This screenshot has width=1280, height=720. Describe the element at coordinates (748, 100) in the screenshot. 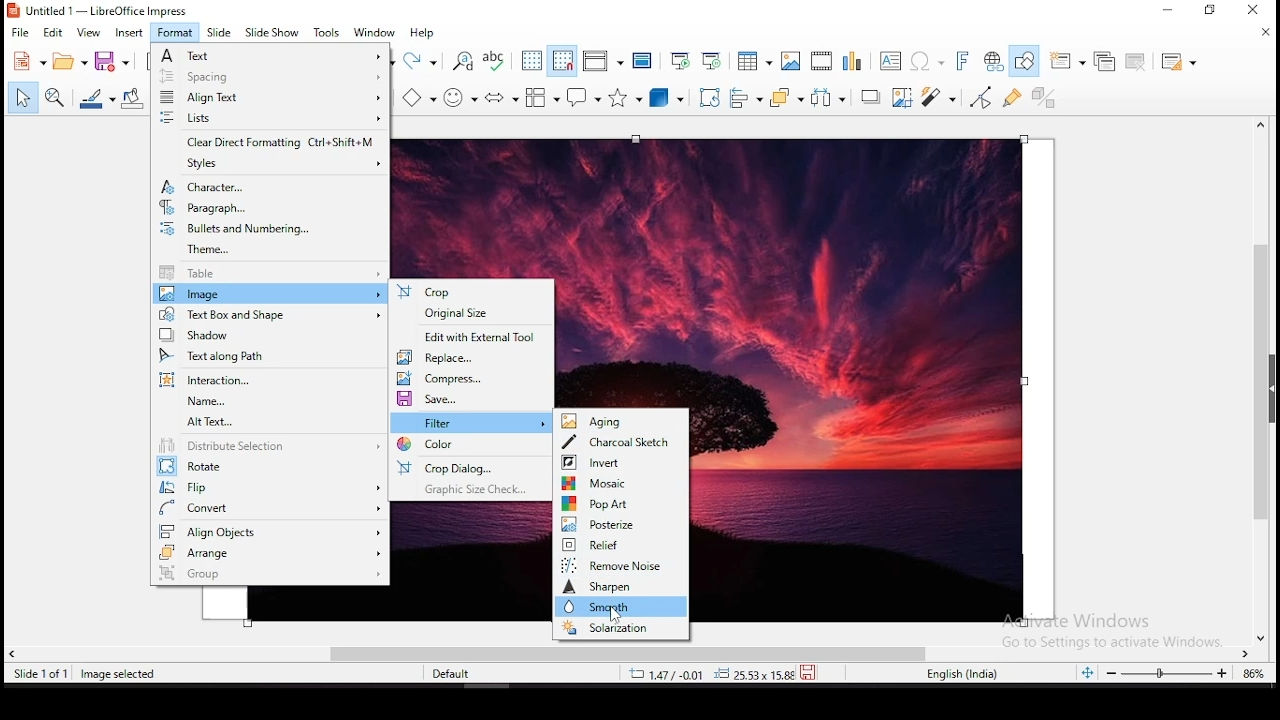

I see `align objects` at that location.